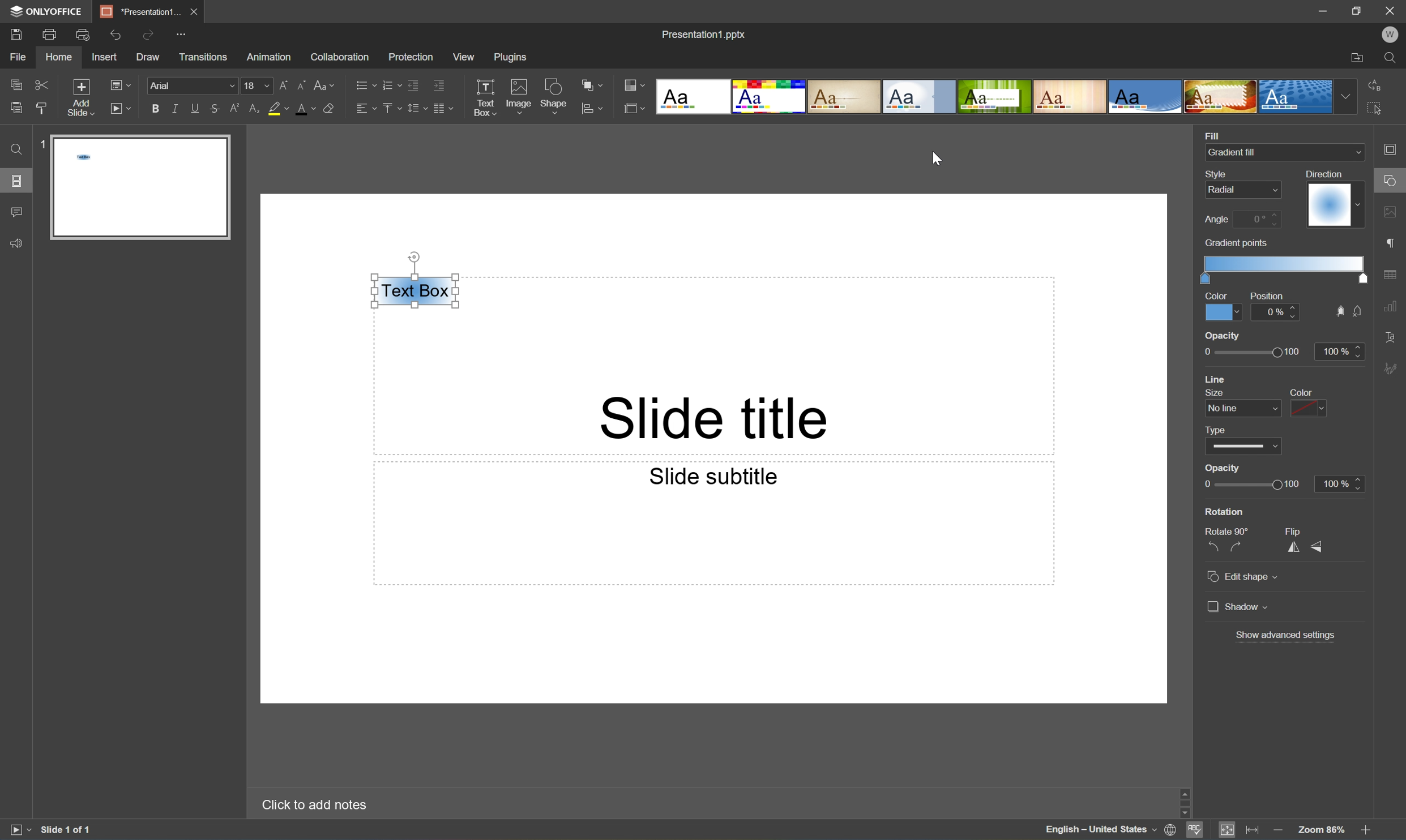  What do you see at coordinates (1375, 107) in the screenshot?
I see `Select All` at bounding box center [1375, 107].